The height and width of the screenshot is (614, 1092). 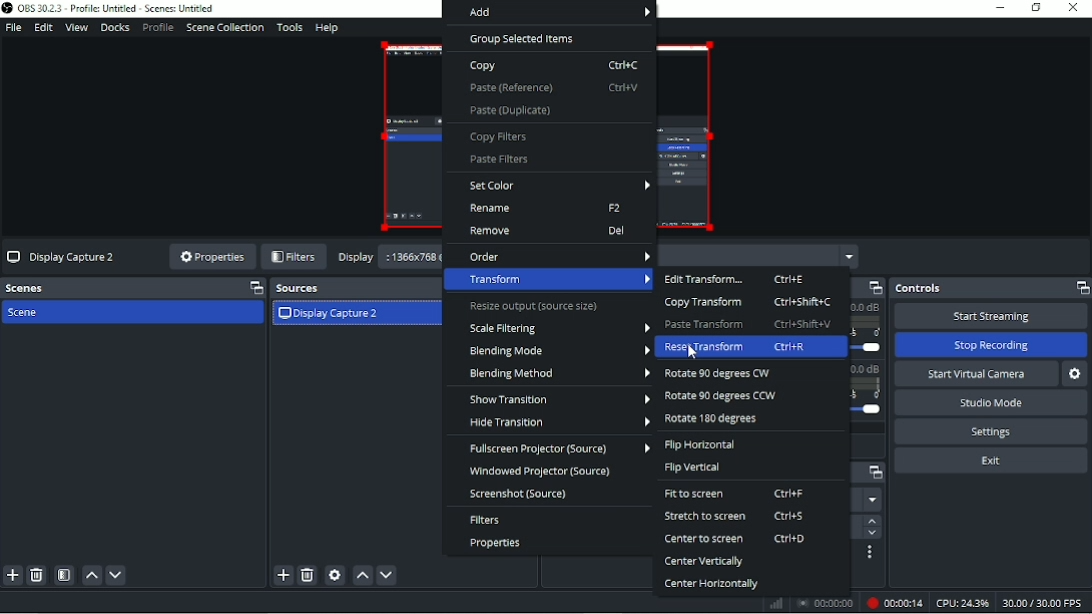 I want to click on Scenes, so click(x=133, y=288).